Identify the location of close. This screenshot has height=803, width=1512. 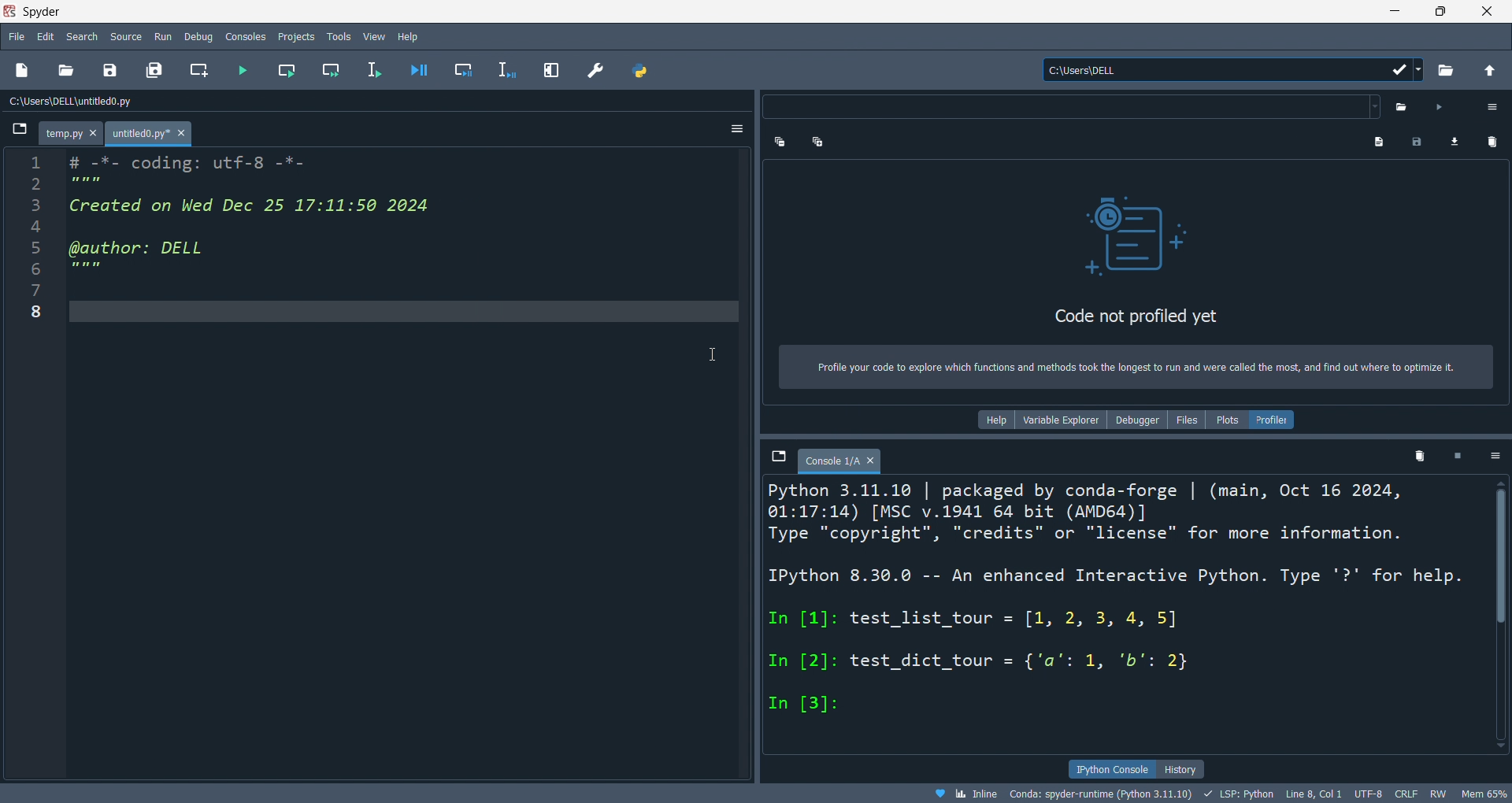
(1493, 12).